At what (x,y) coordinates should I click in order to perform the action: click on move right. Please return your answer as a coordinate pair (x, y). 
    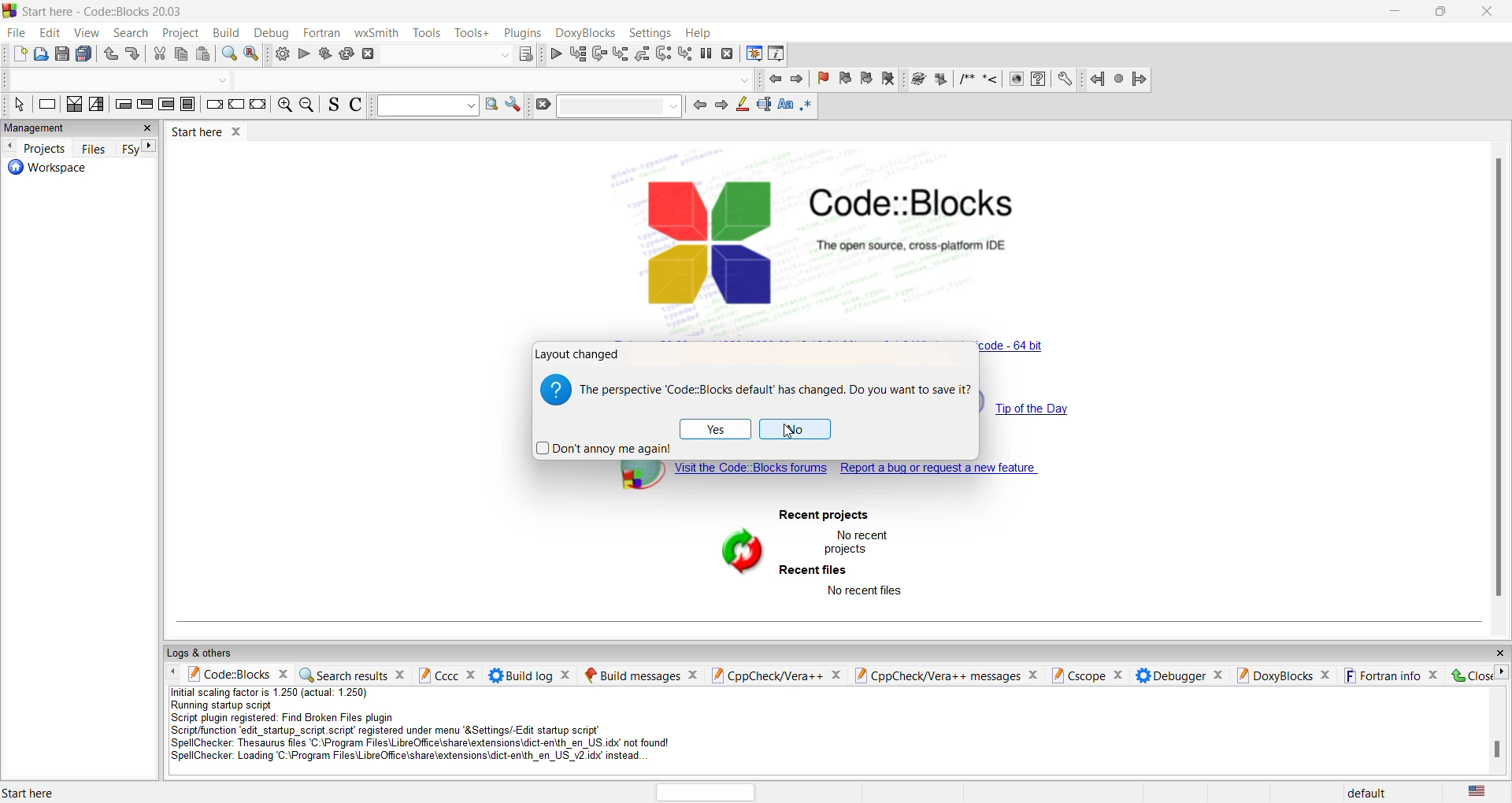
    Looking at the image, I should click on (1503, 672).